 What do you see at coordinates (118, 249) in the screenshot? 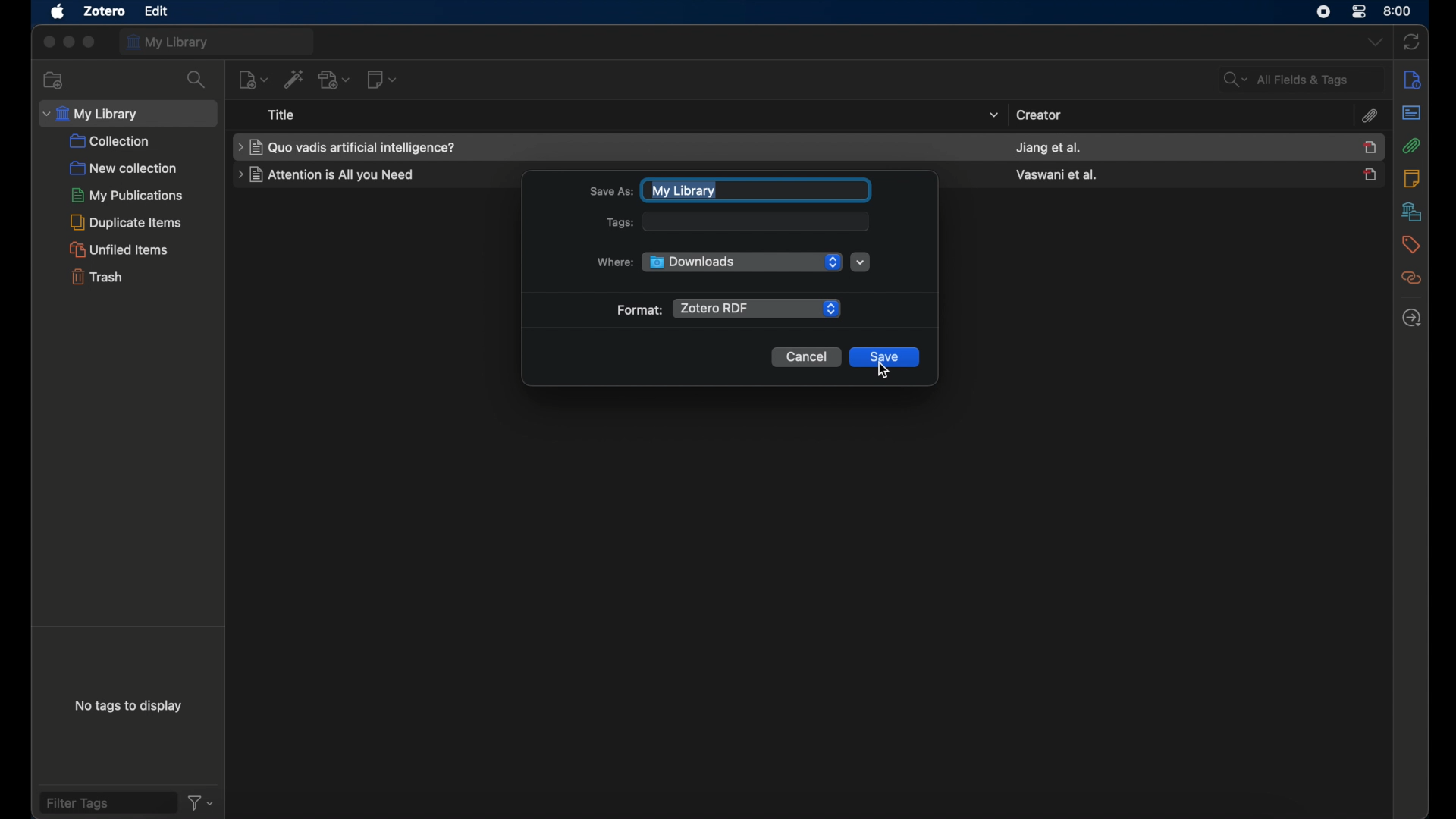
I see `unified items` at bounding box center [118, 249].